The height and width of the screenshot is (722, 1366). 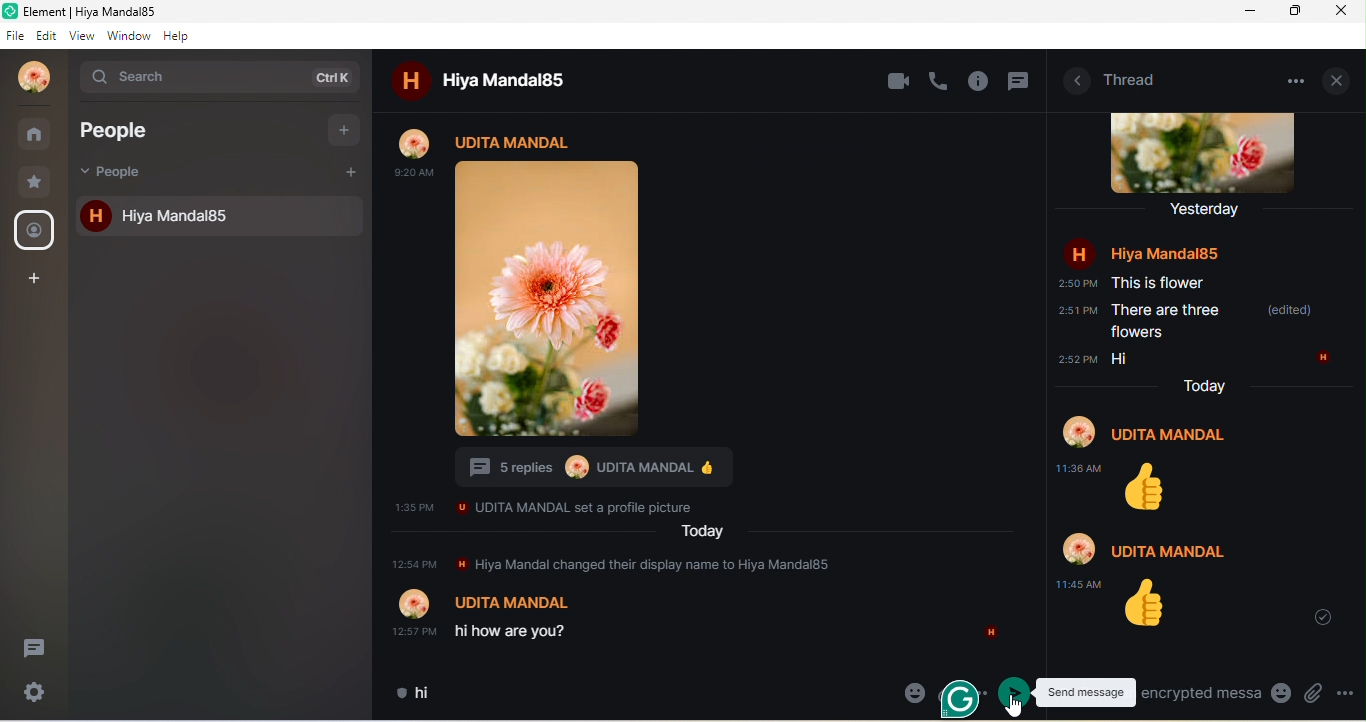 What do you see at coordinates (1328, 619) in the screenshot?
I see `scroll to most recent message` at bounding box center [1328, 619].